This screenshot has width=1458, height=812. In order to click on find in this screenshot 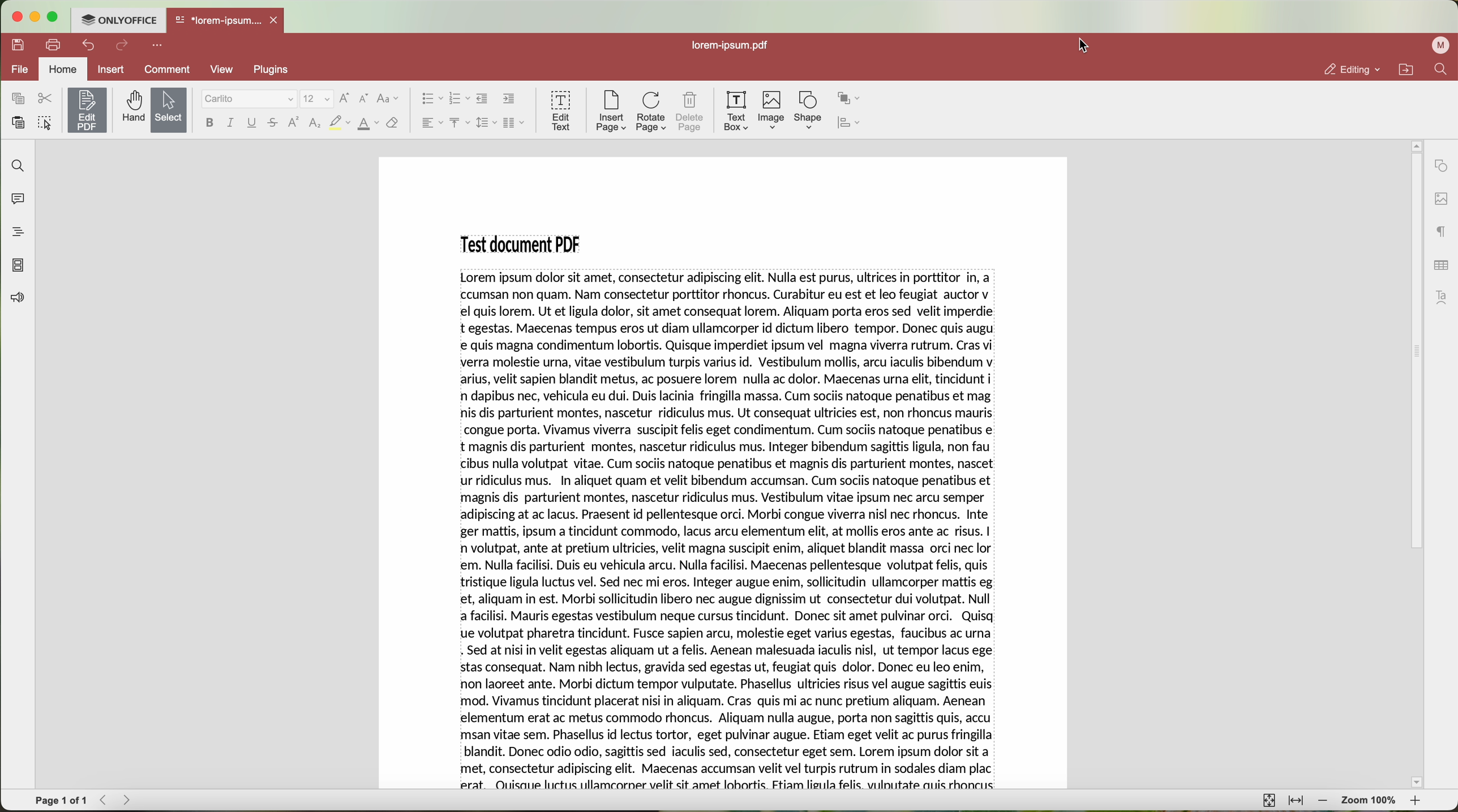, I will do `click(1443, 70)`.